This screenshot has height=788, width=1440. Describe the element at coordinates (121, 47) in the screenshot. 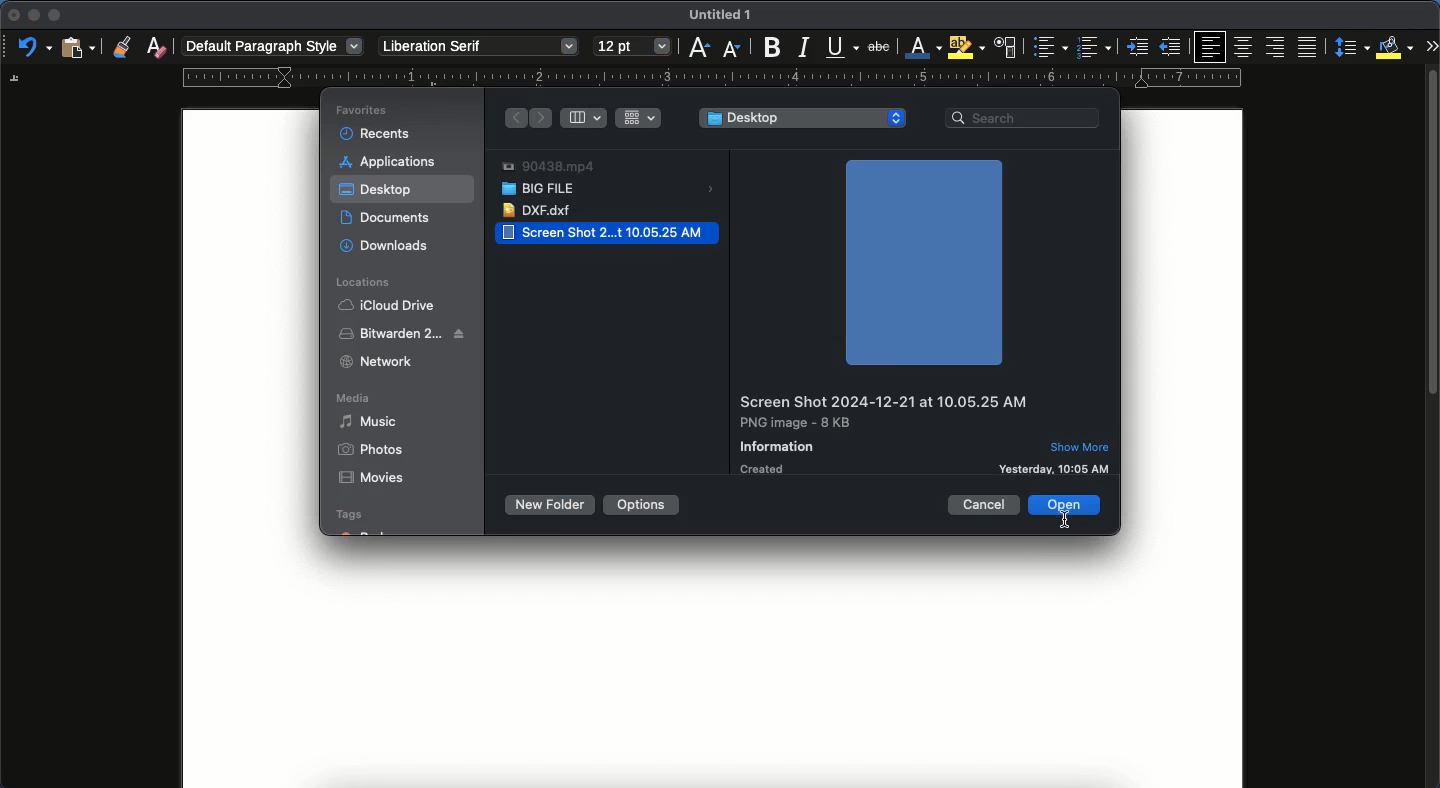

I see `clone formatting` at that location.